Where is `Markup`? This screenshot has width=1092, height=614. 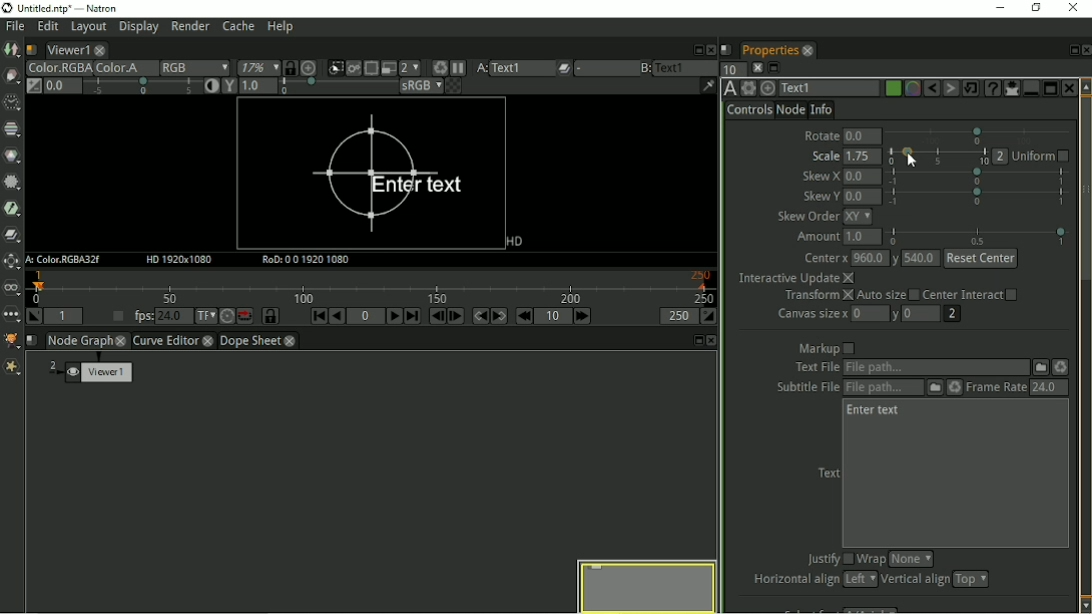 Markup is located at coordinates (827, 348).